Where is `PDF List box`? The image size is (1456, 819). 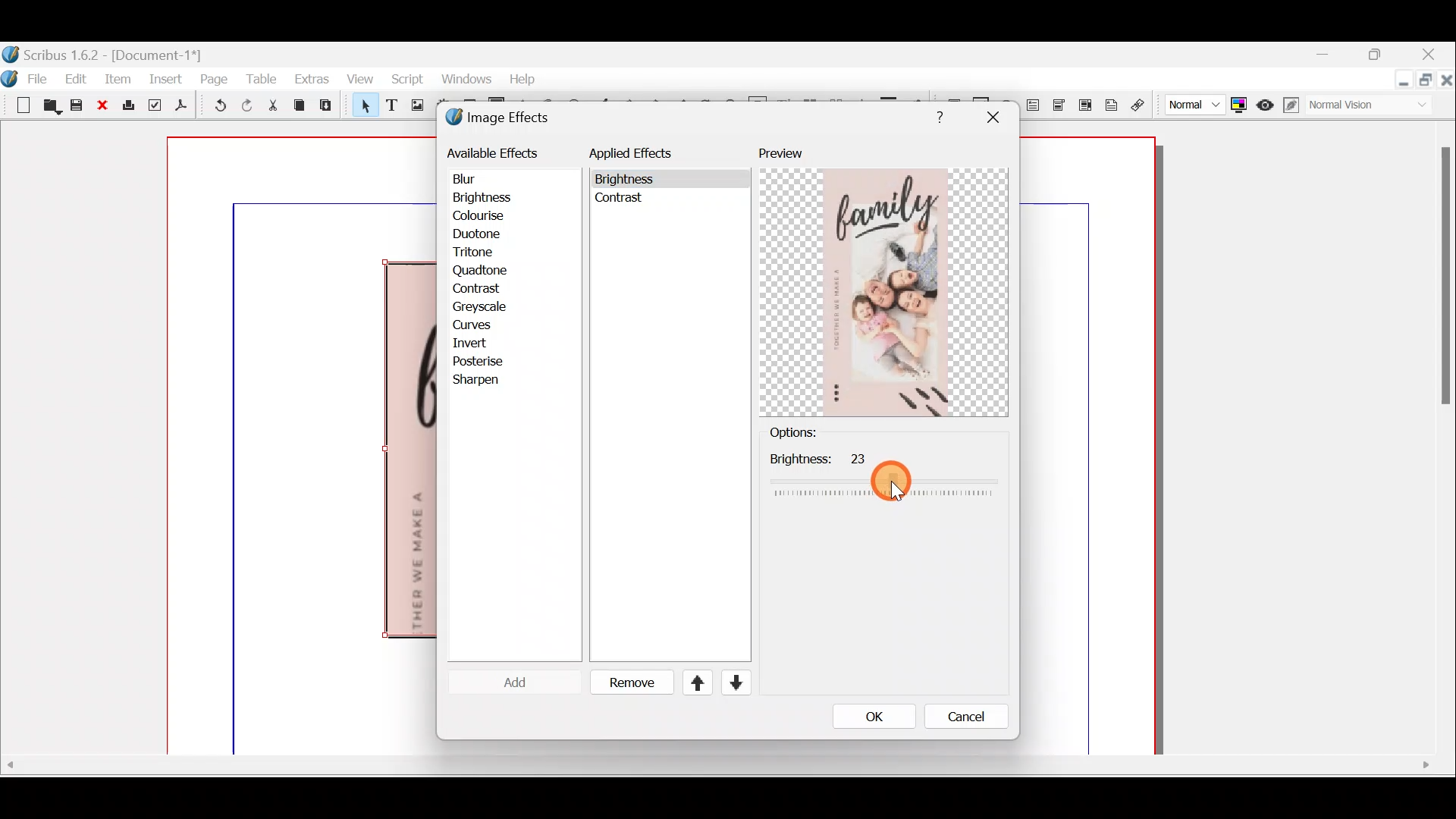 PDF List box is located at coordinates (1085, 103).